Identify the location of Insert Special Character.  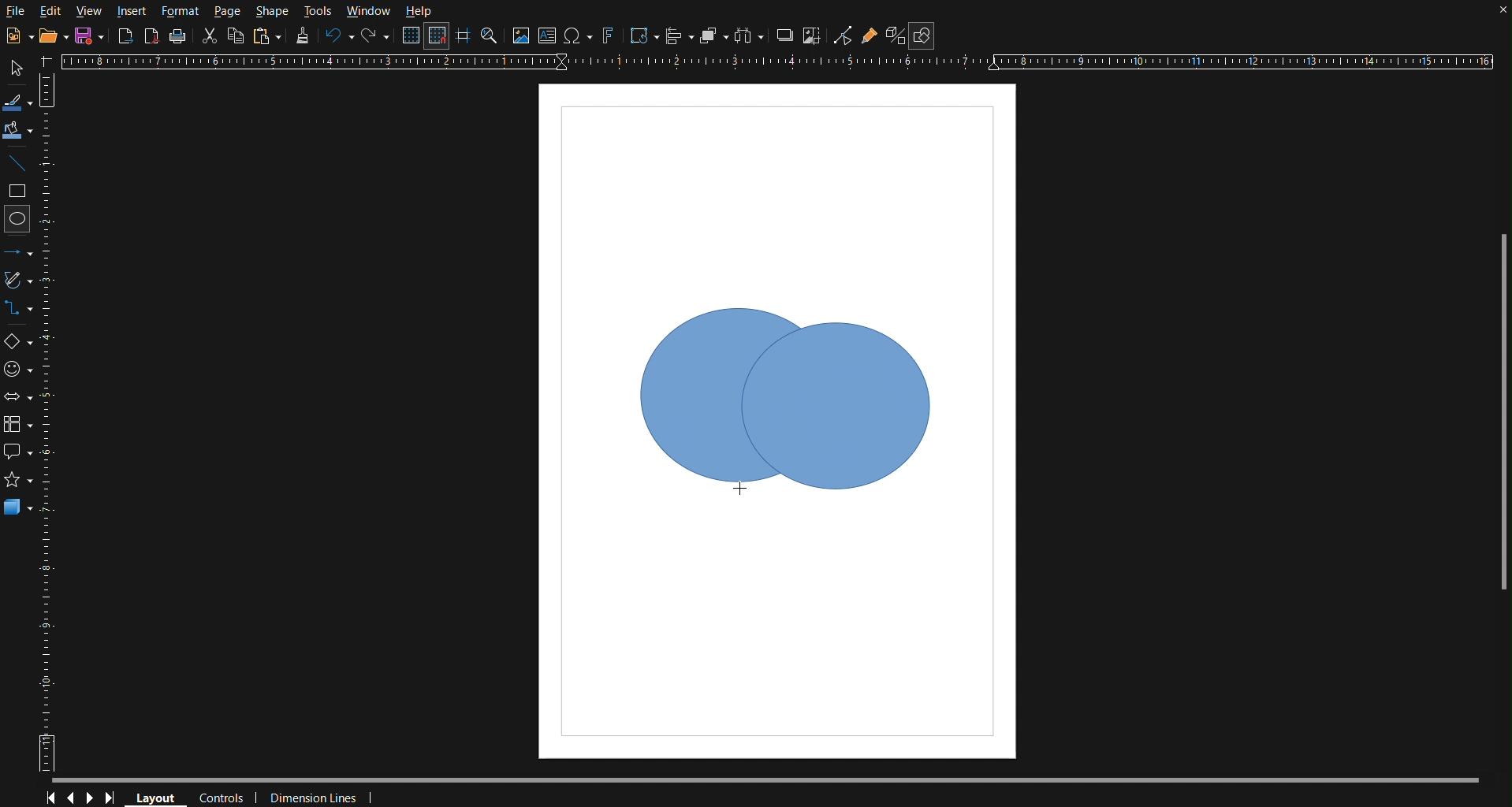
(579, 36).